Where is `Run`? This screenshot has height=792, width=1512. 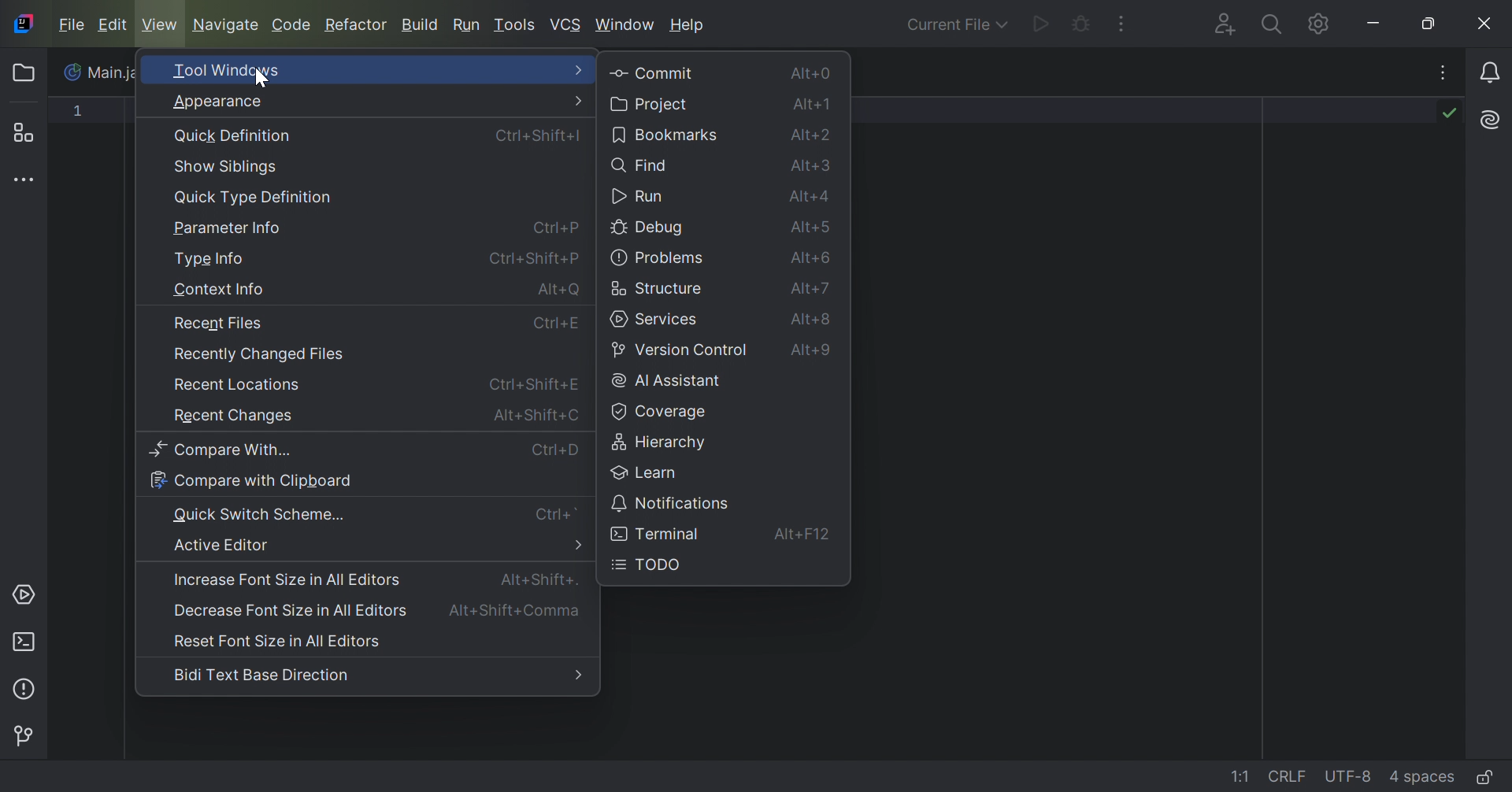
Run is located at coordinates (1039, 26).